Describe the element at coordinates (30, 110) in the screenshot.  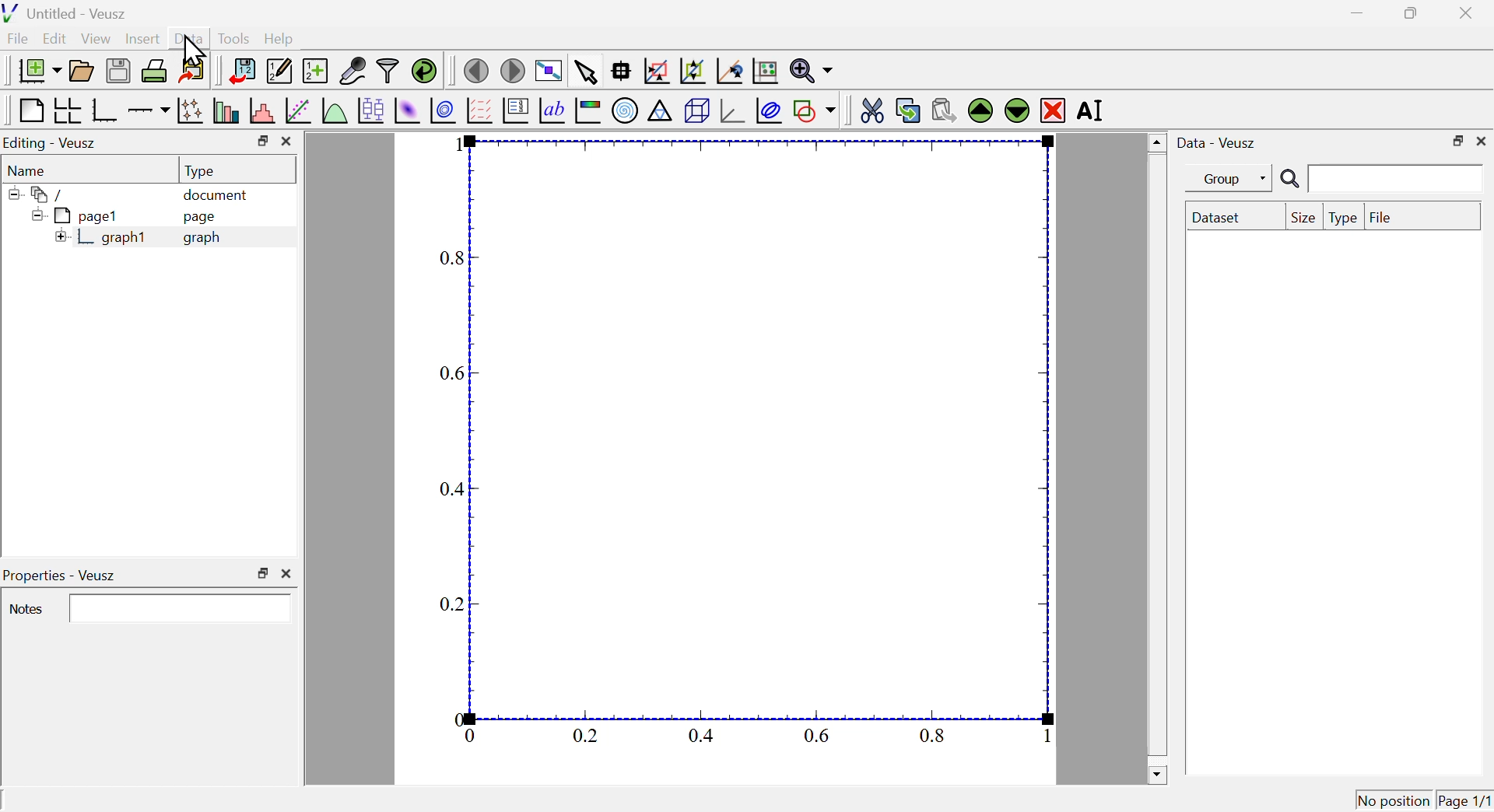
I see `blank page` at that location.